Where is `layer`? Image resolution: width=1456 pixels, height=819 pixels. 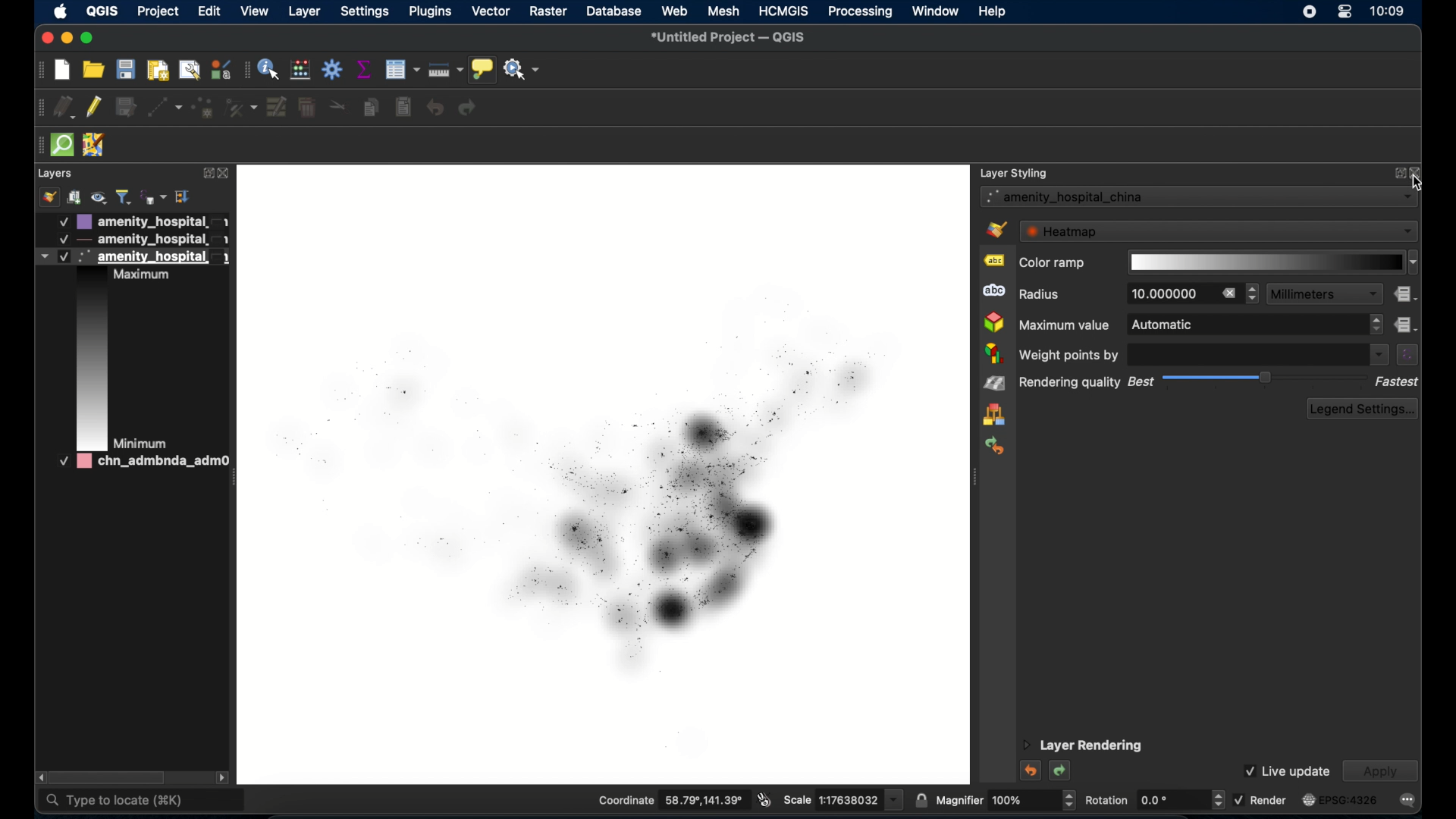
layer is located at coordinates (303, 11).